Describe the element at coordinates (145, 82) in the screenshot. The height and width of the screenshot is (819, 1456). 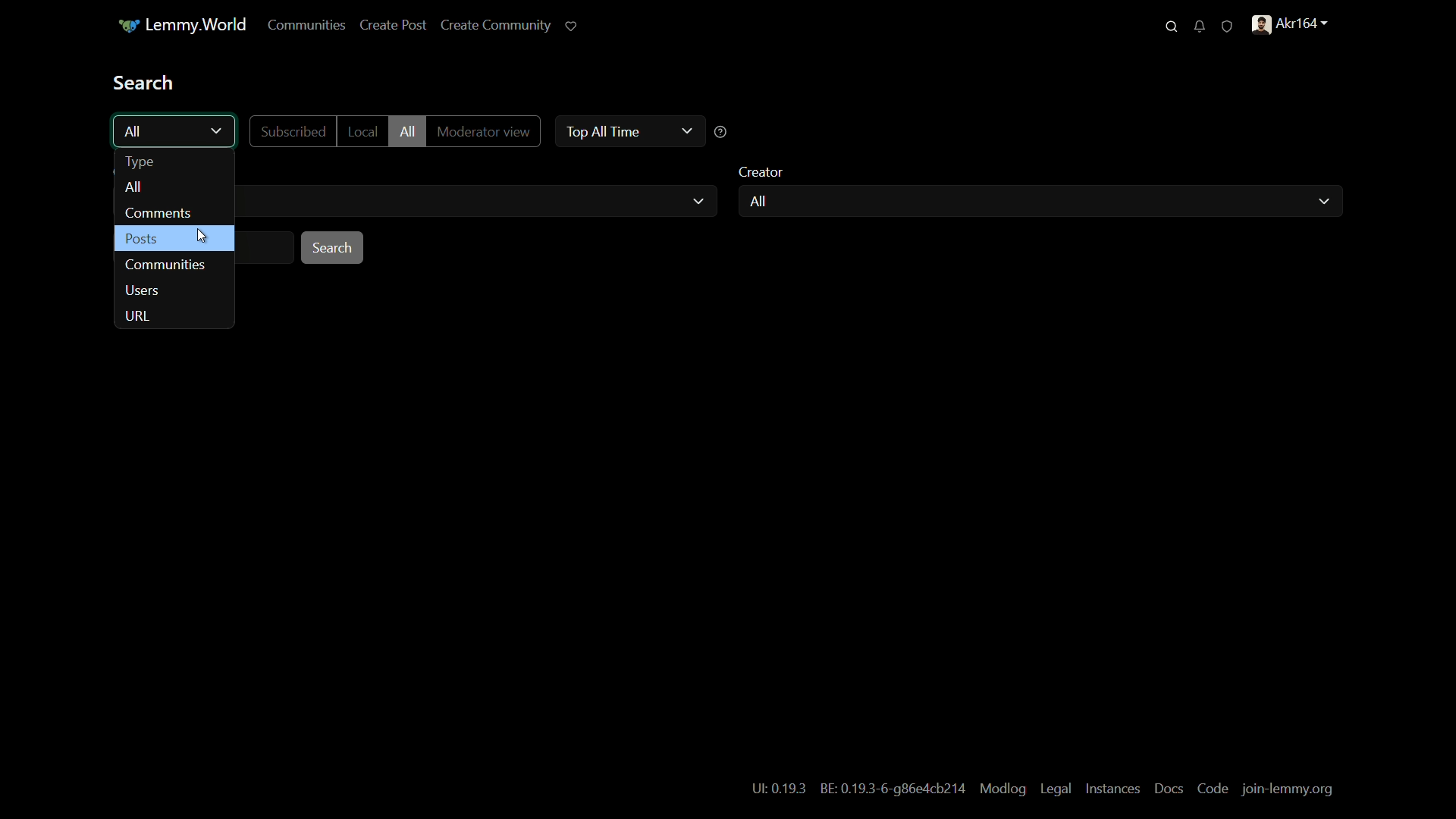
I see `search` at that location.